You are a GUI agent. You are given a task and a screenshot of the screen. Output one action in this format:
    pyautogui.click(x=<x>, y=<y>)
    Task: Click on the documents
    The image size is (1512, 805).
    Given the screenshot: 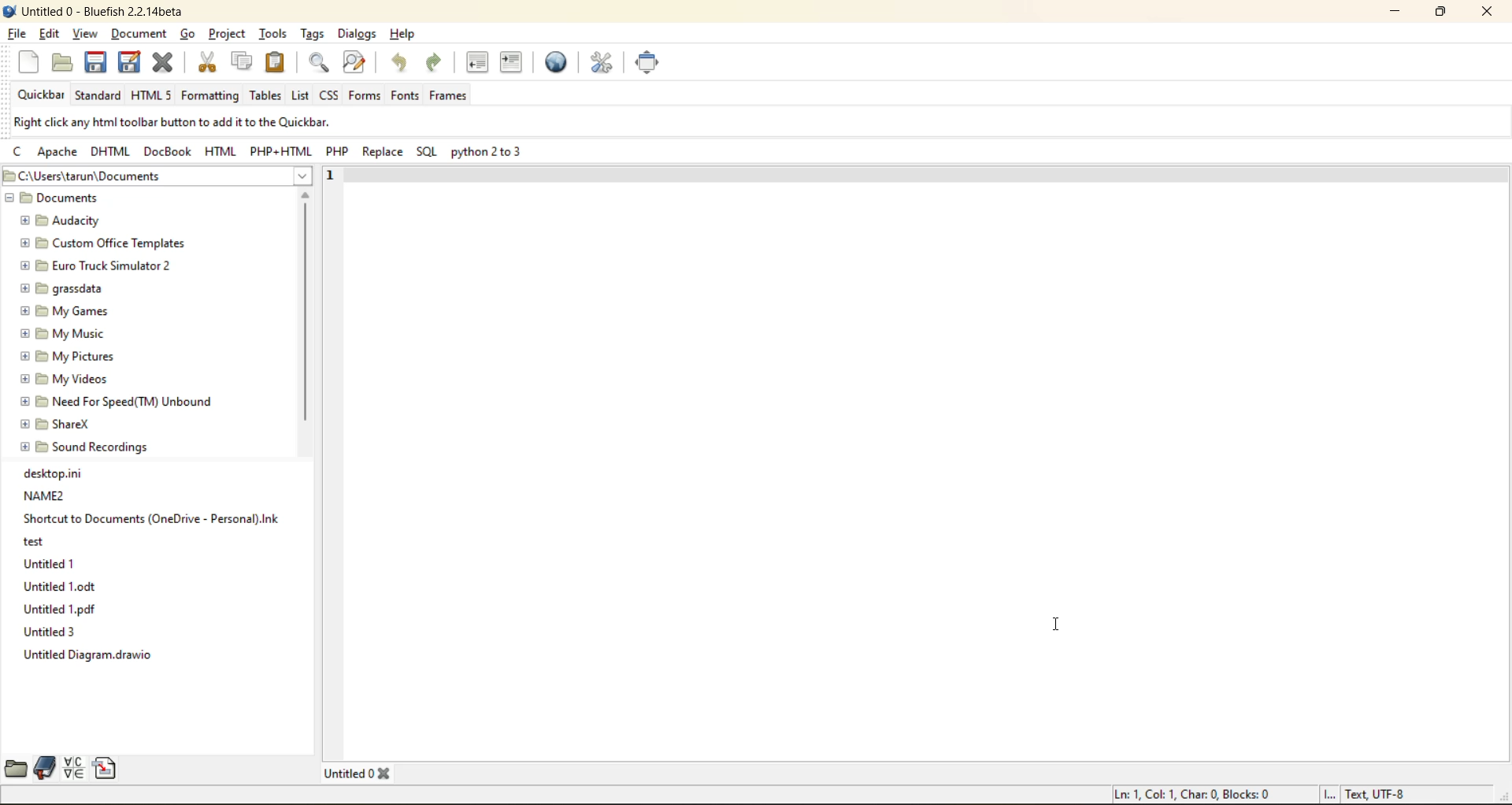 What is the action you would take?
    pyautogui.click(x=98, y=199)
    